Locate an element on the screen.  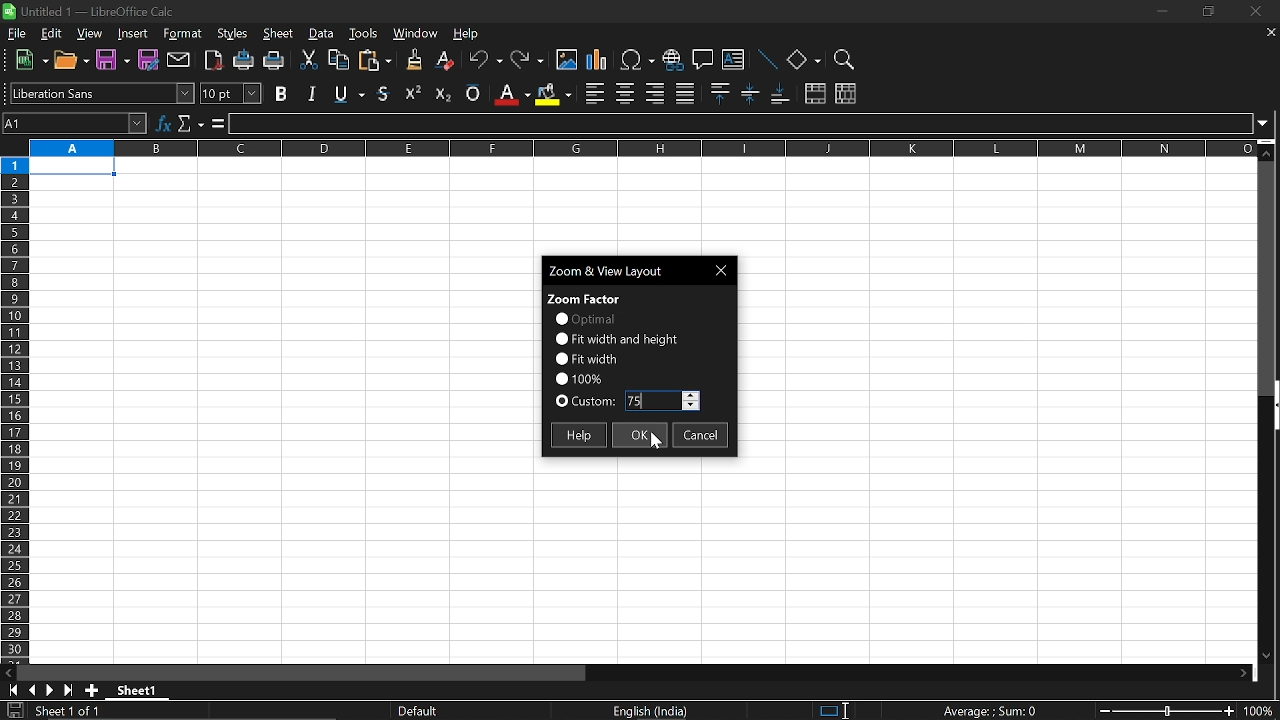
cut is located at coordinates (307, 61).